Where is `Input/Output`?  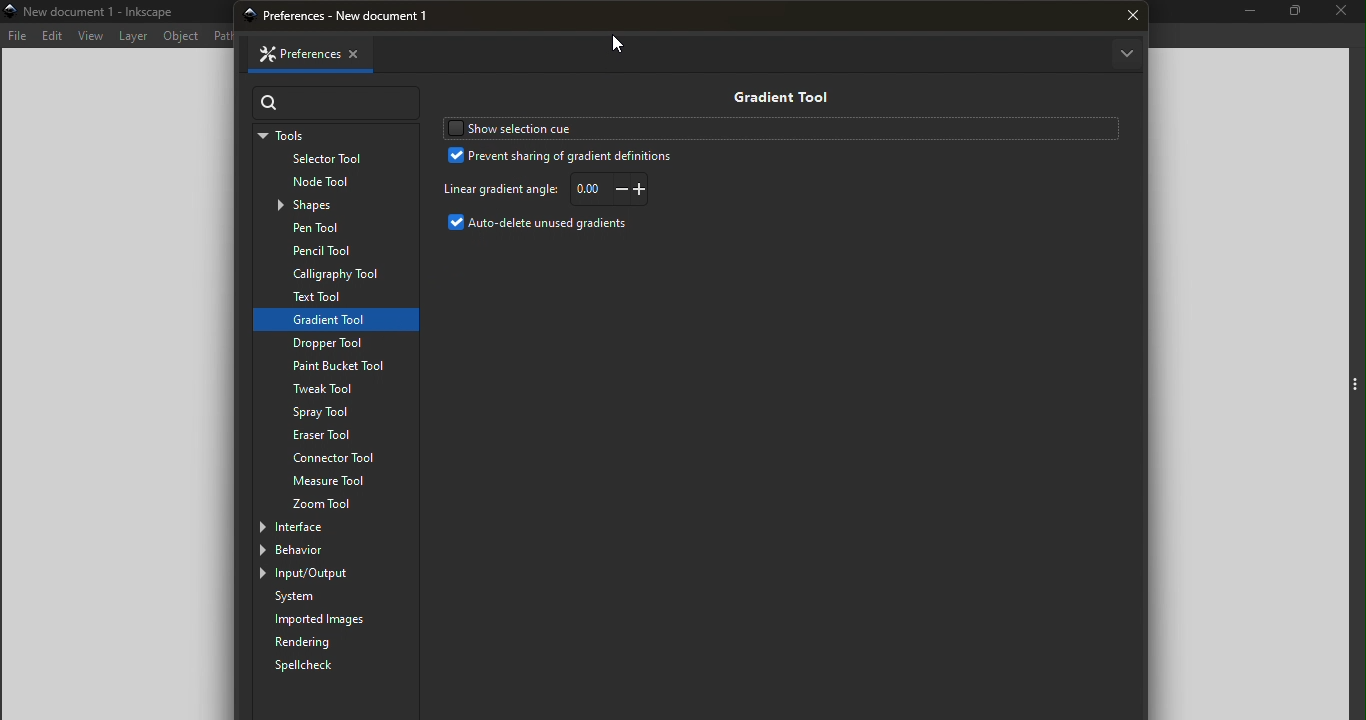
Input/Output is located at coordinates (325, 574).